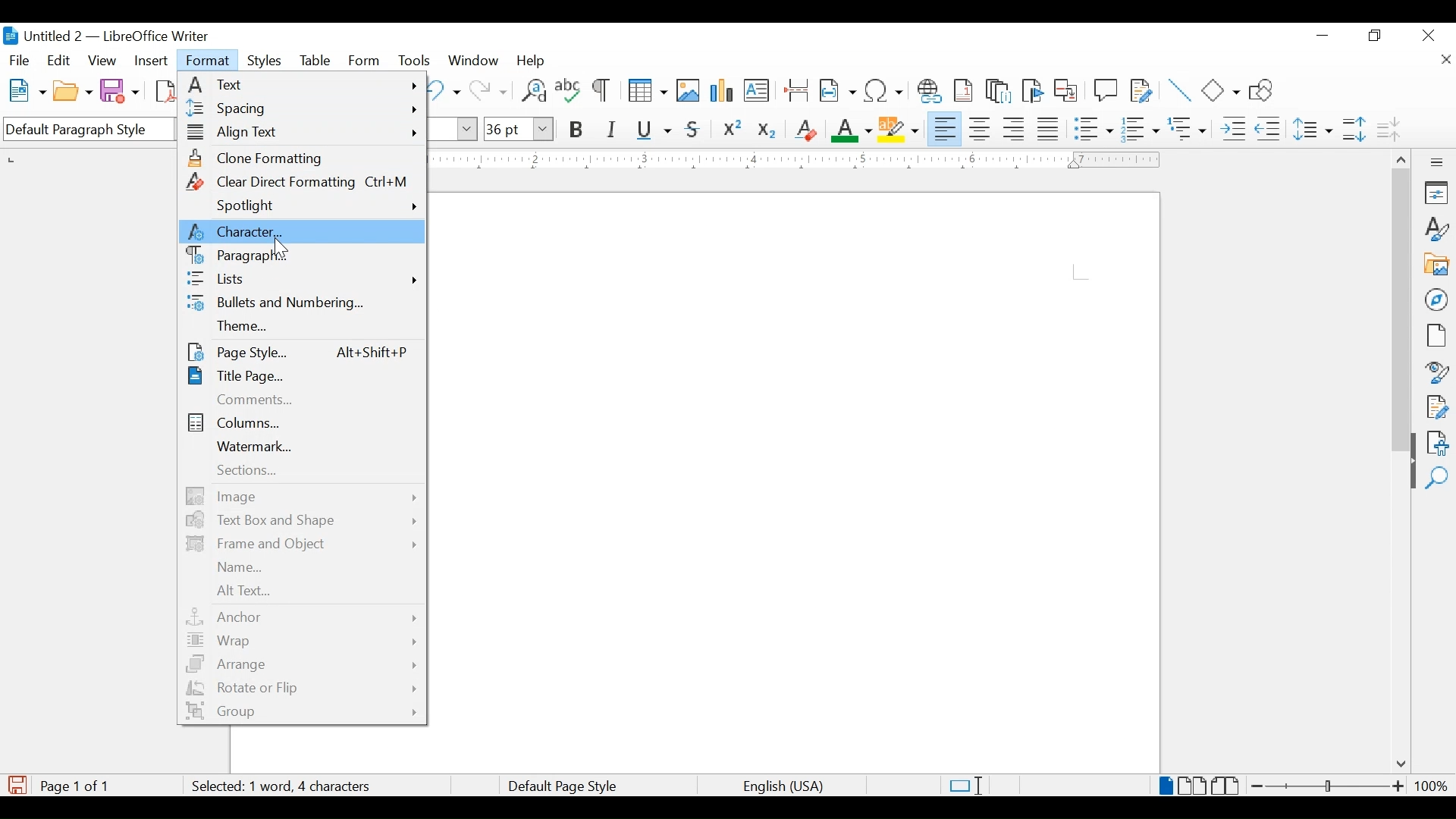 The width and height of the screenshot is (1456, 819). What do you see at coordinates (1015, 129) in the screenshot?
I see `align right` at bounding box center [1015, 129].